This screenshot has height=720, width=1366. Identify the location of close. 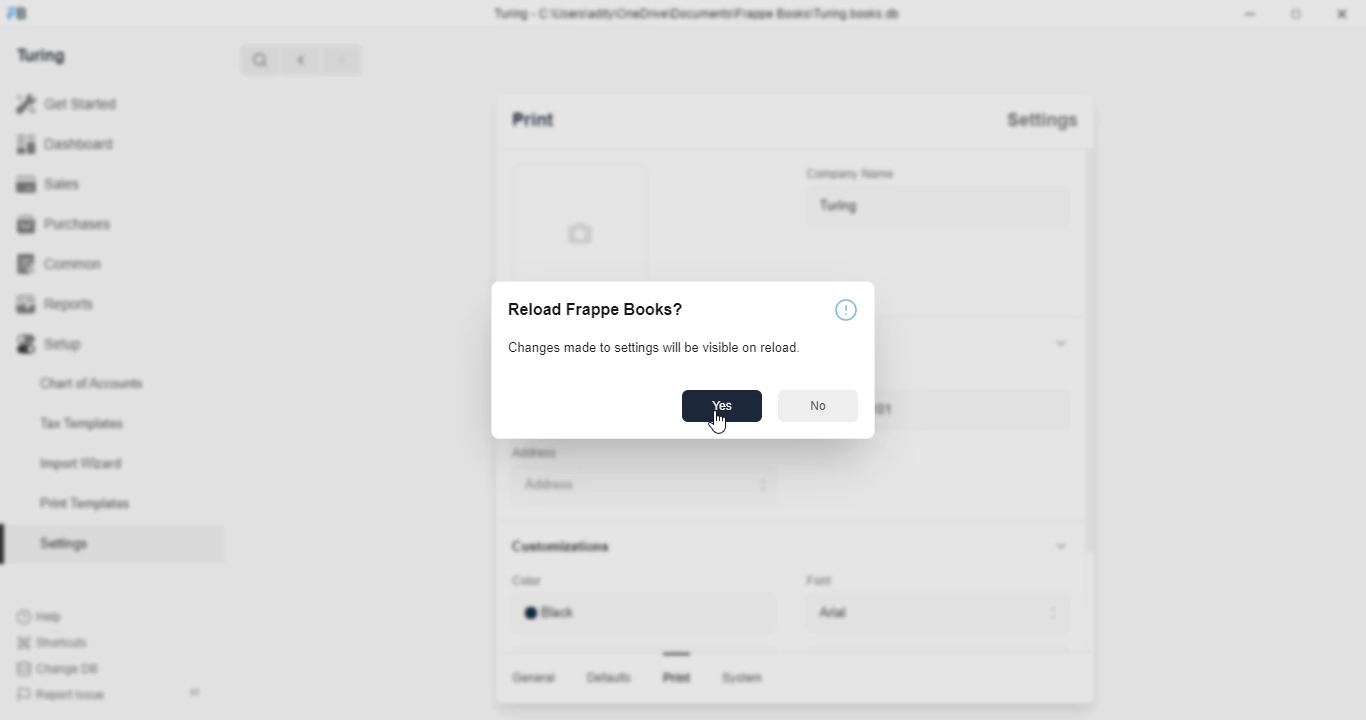
(1345, 16).